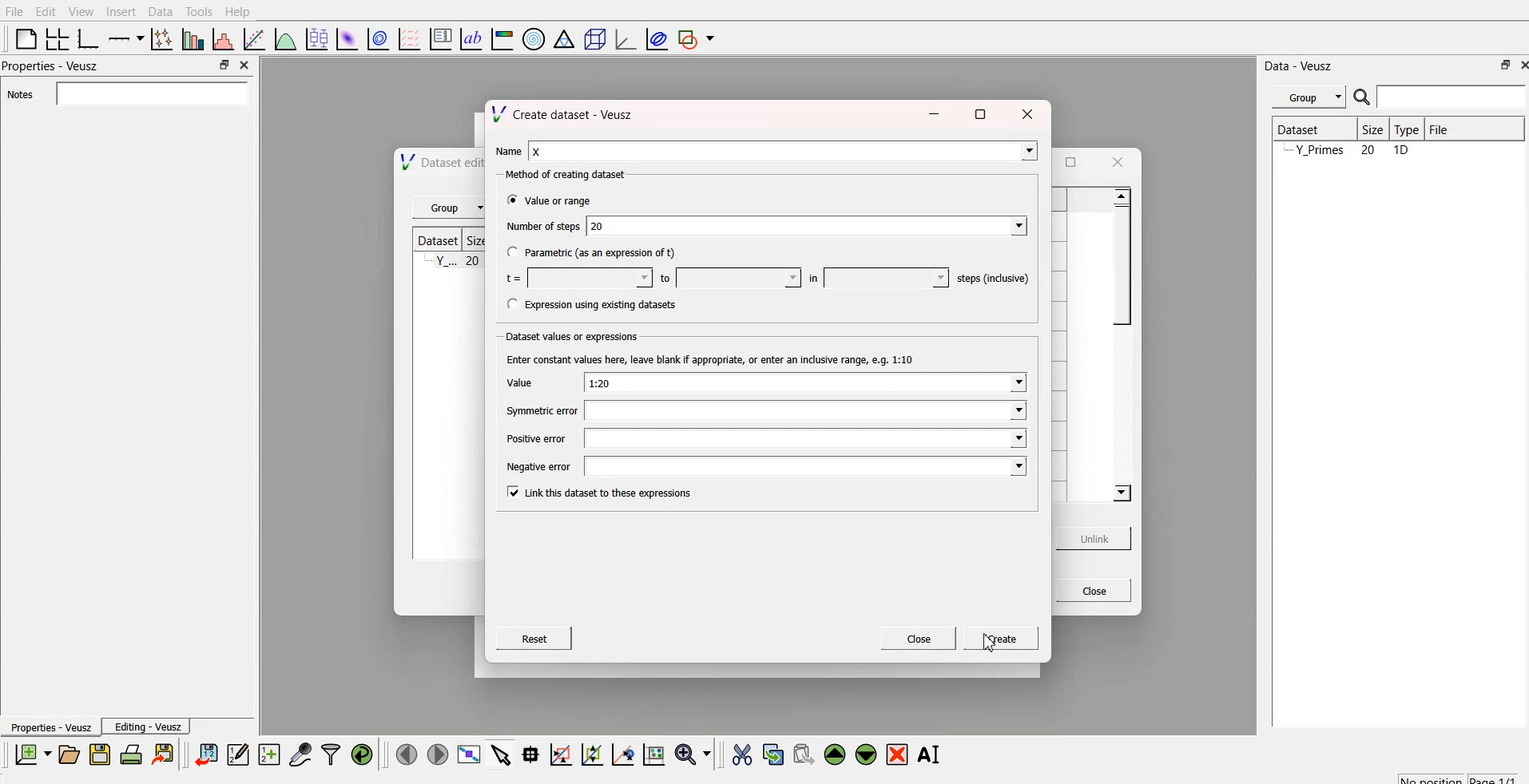  I want to click on \/ Create dataset - Veusz, so click(574, 113).